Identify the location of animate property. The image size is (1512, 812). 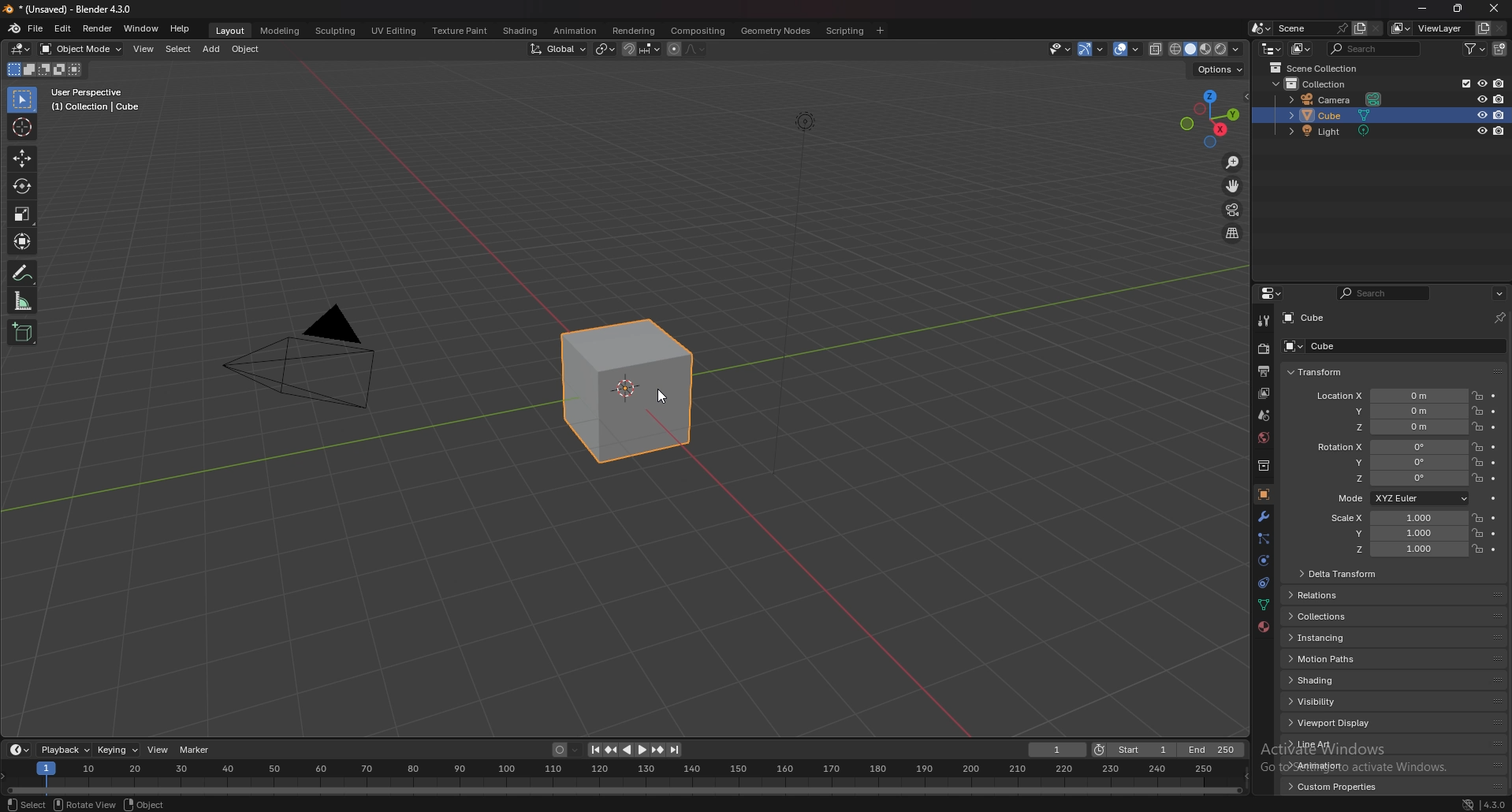
(1494, 518).